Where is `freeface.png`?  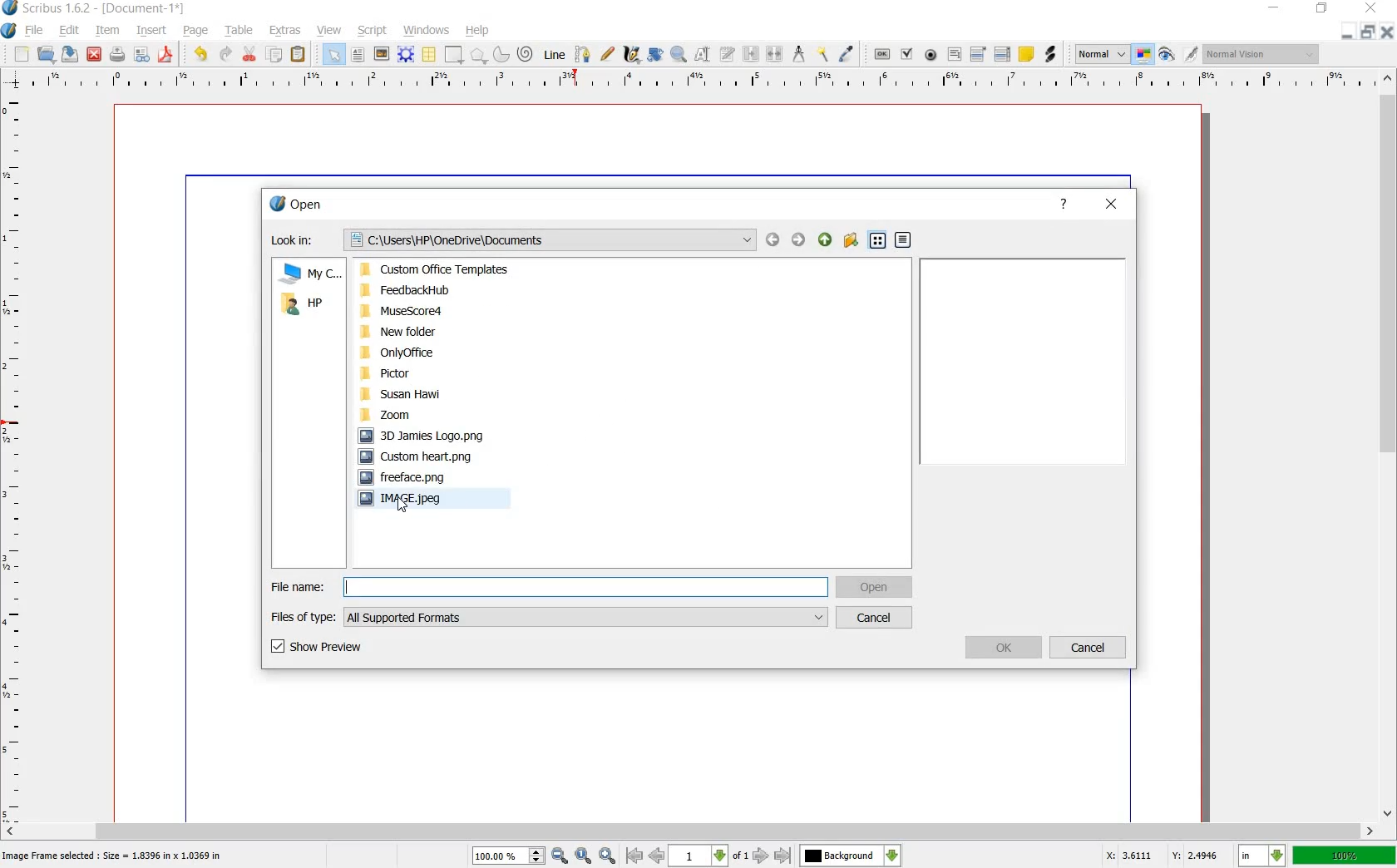 freeface.png is located at coordinates (407, 476).